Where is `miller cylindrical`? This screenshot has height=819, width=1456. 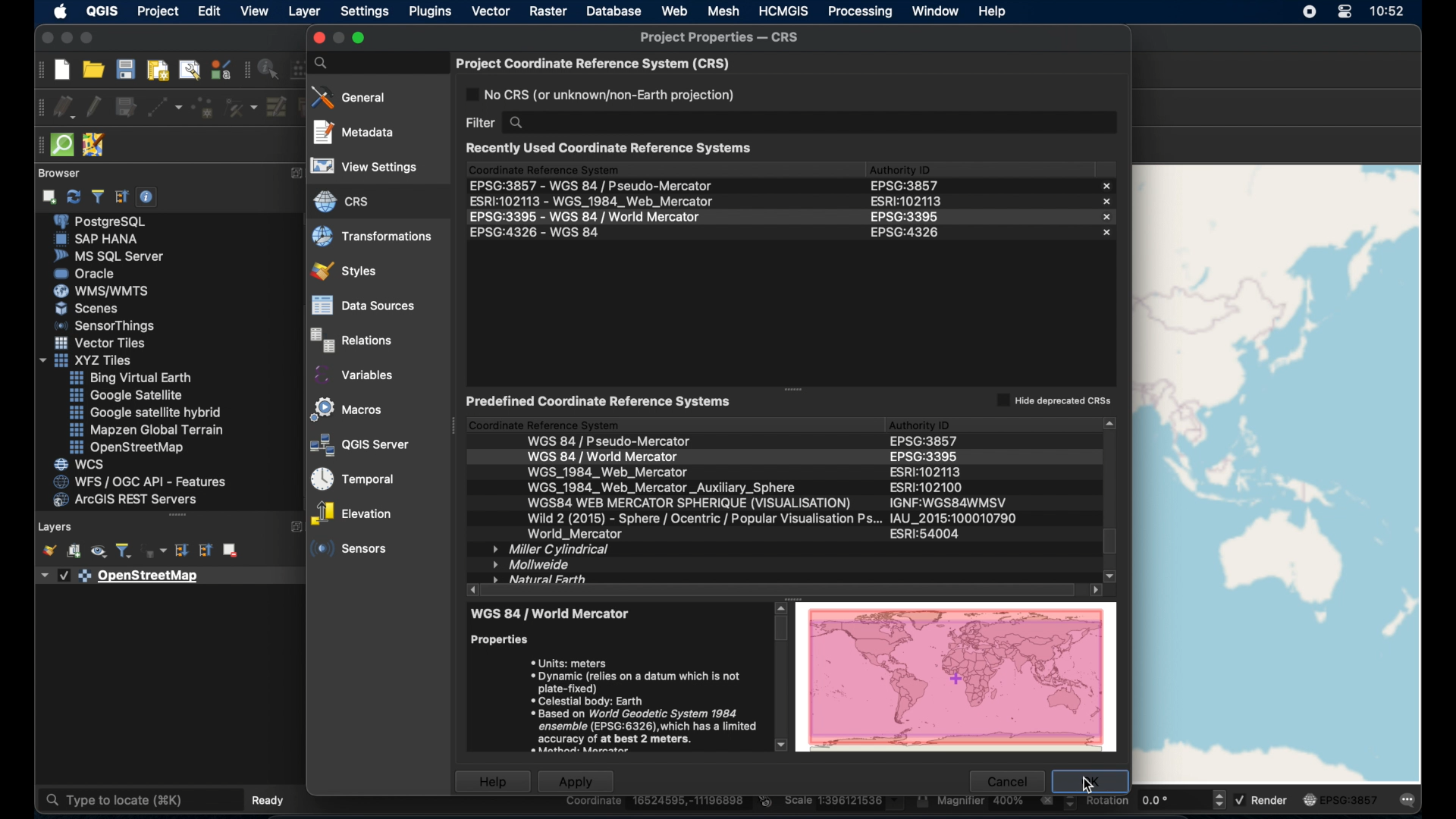 miller cylindrical is located at coordinates (551, 548).